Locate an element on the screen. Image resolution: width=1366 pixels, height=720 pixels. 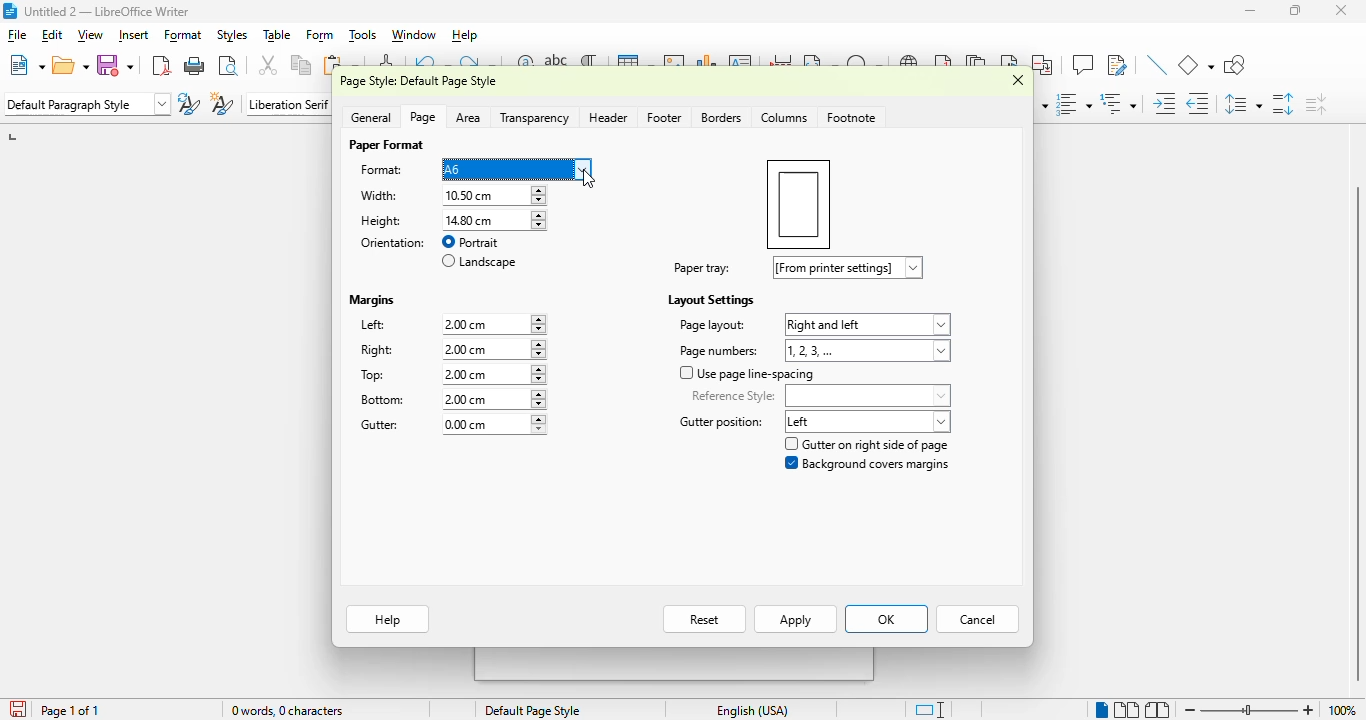
background covers margin is located at coordinates (866, 463).